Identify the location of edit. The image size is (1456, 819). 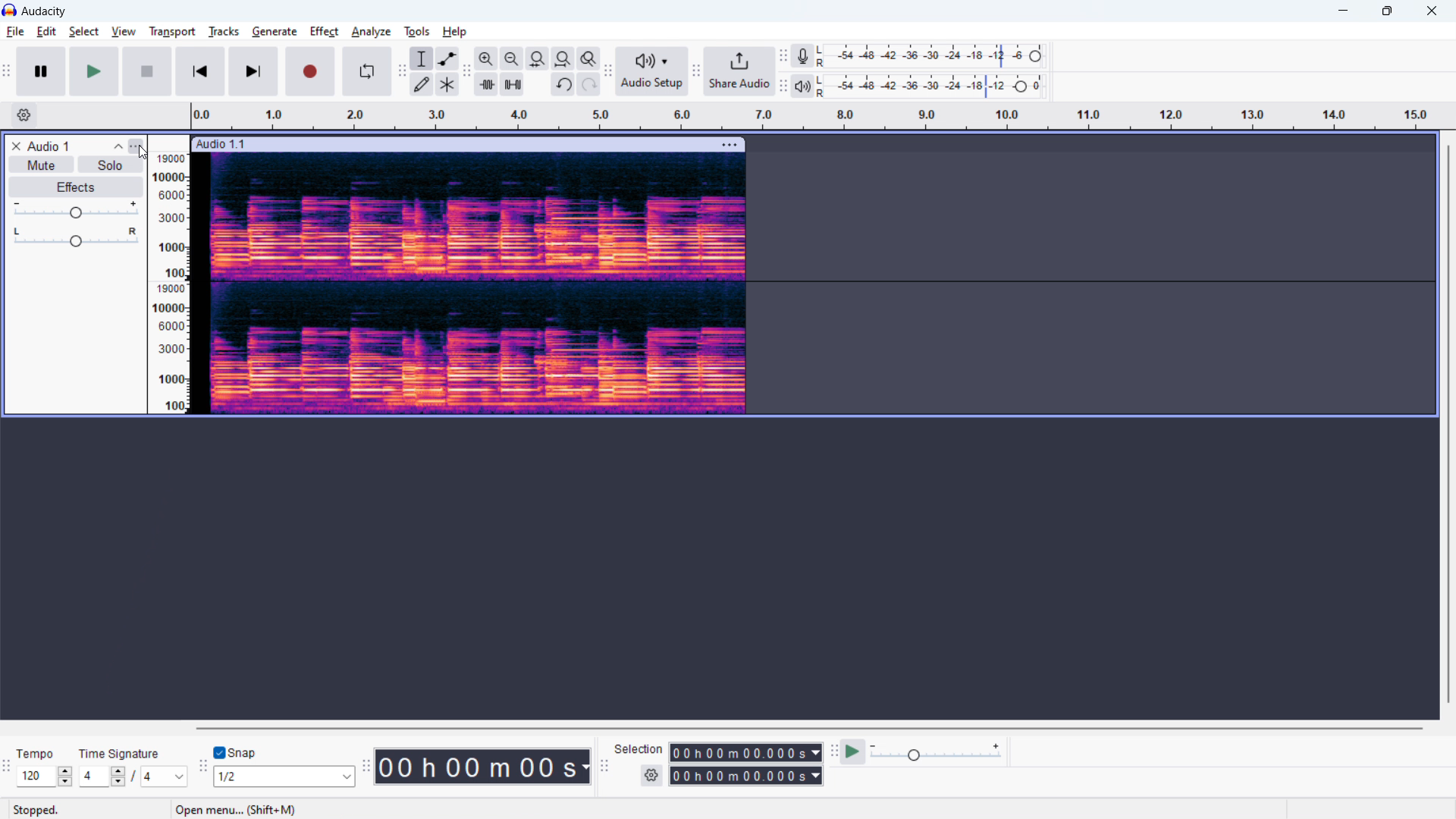
(48, 32).